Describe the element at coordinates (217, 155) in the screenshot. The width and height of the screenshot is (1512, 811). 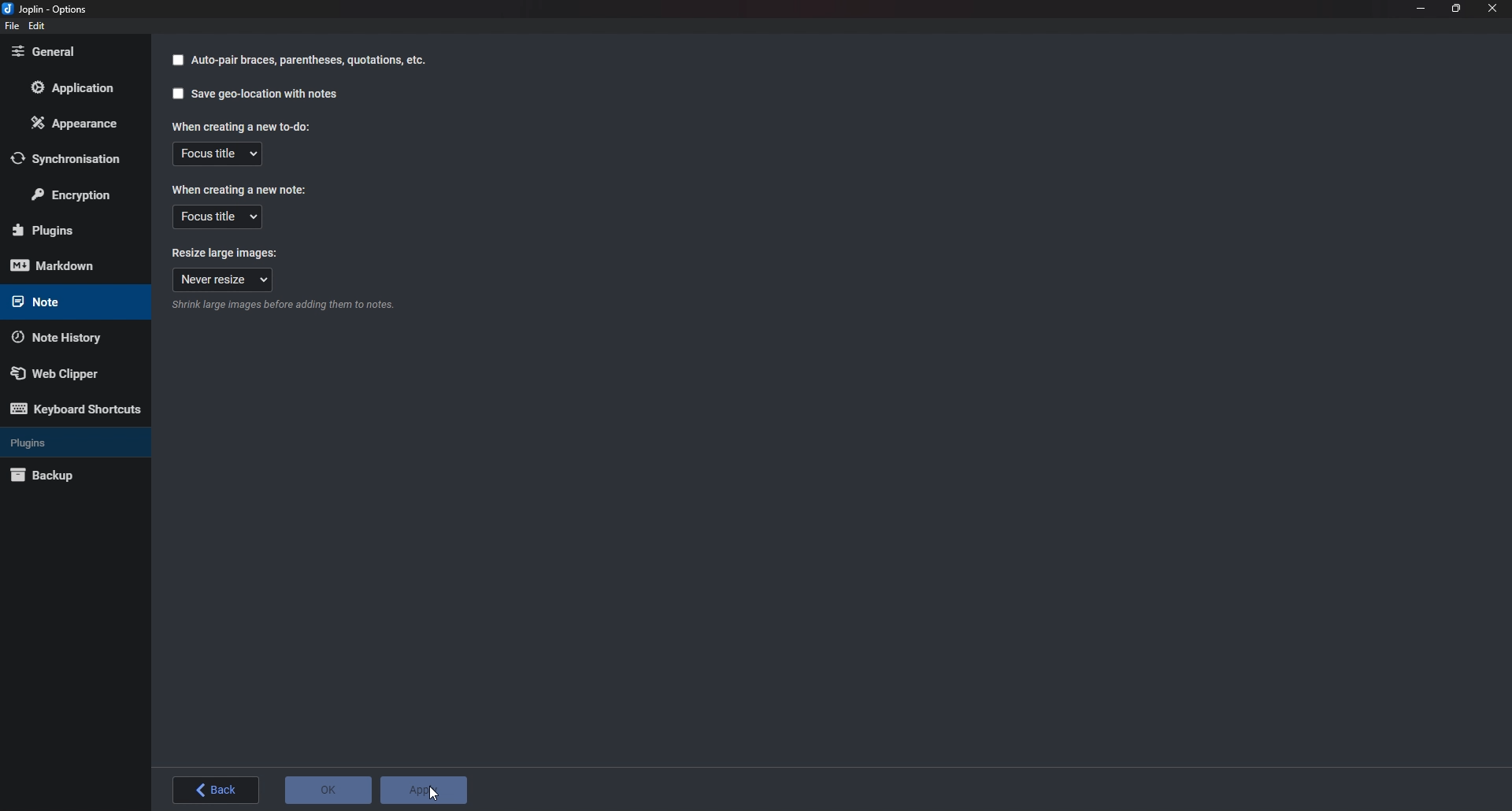
I see `Focus Title` at that location.